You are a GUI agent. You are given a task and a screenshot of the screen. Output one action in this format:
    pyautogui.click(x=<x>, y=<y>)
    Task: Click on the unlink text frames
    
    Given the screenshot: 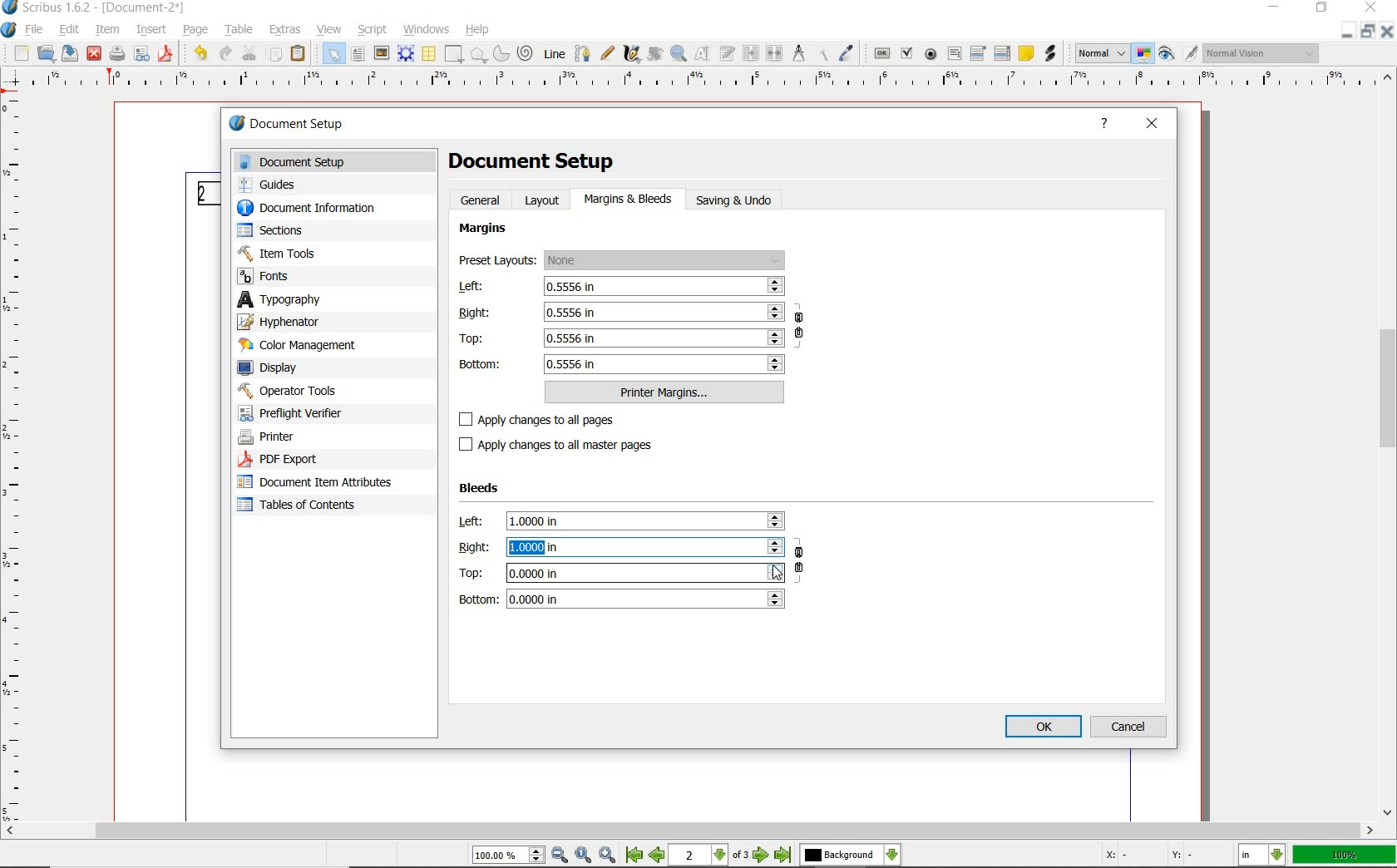 What is the action you would take?
    pyautogui.click(x=774, y=53)
    